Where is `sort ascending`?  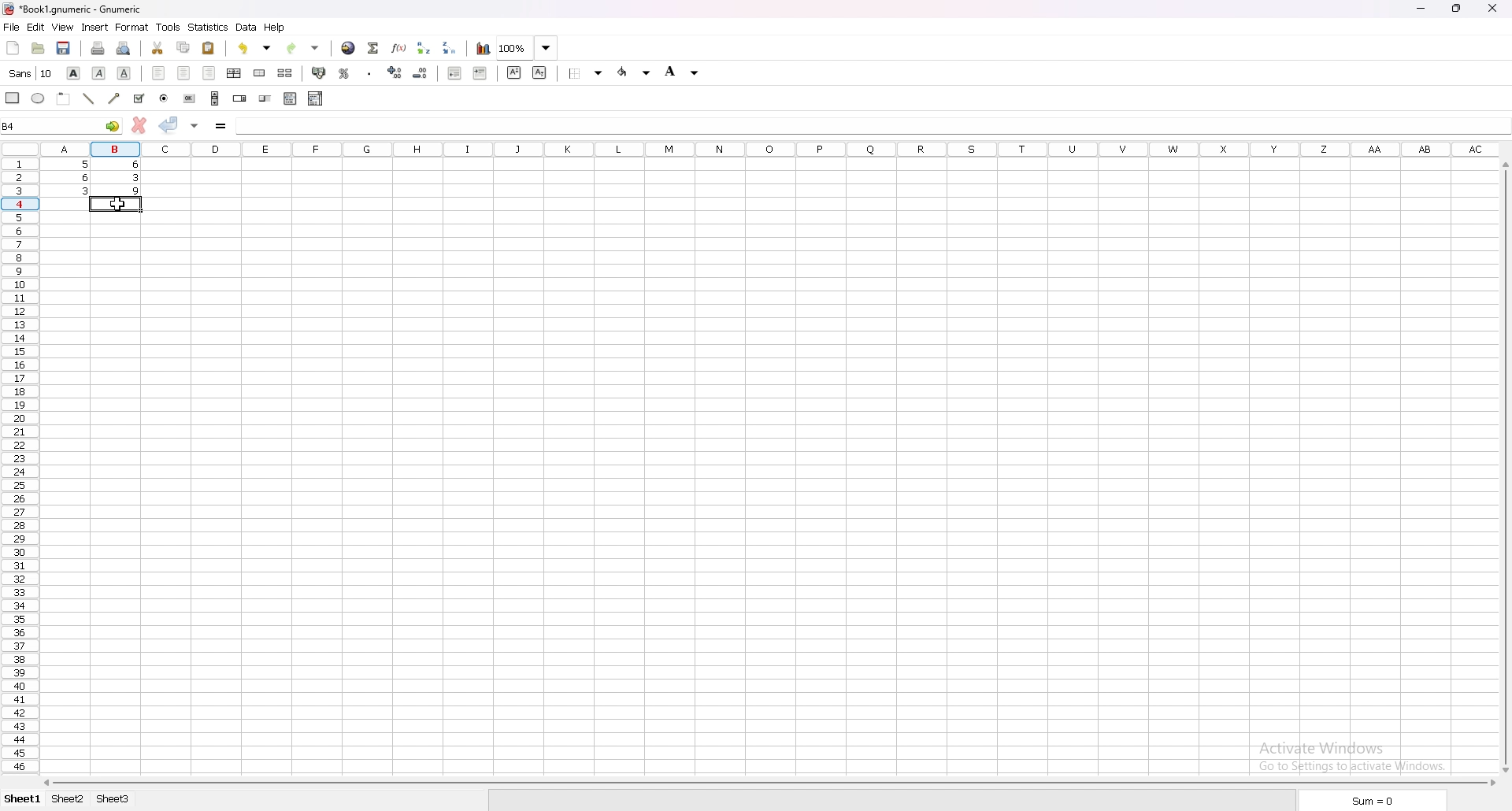 sort ascending is located at coordinates (423, 47).